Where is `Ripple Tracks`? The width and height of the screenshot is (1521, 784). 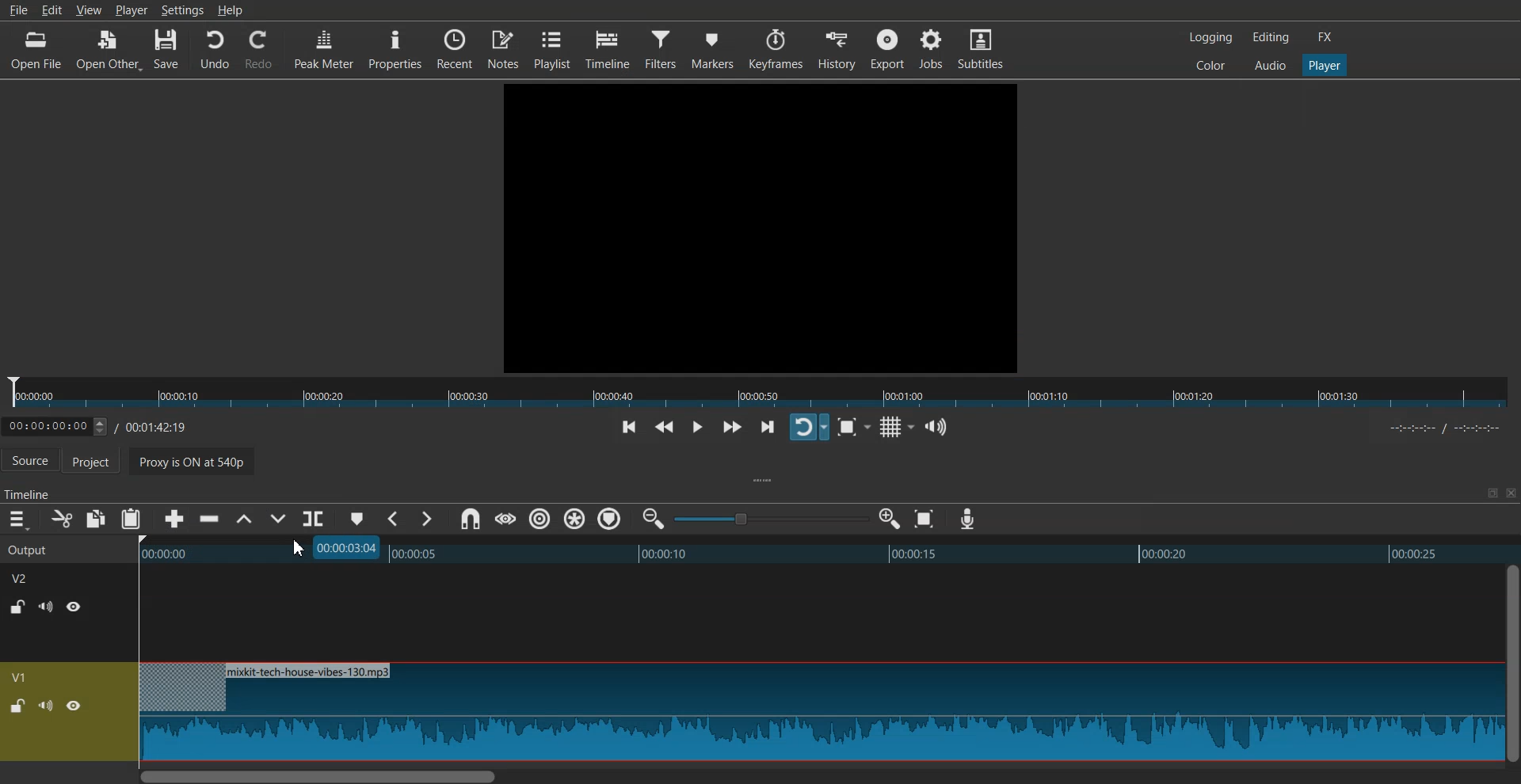
Ripple Tracks is located at coordinates (611, 519).